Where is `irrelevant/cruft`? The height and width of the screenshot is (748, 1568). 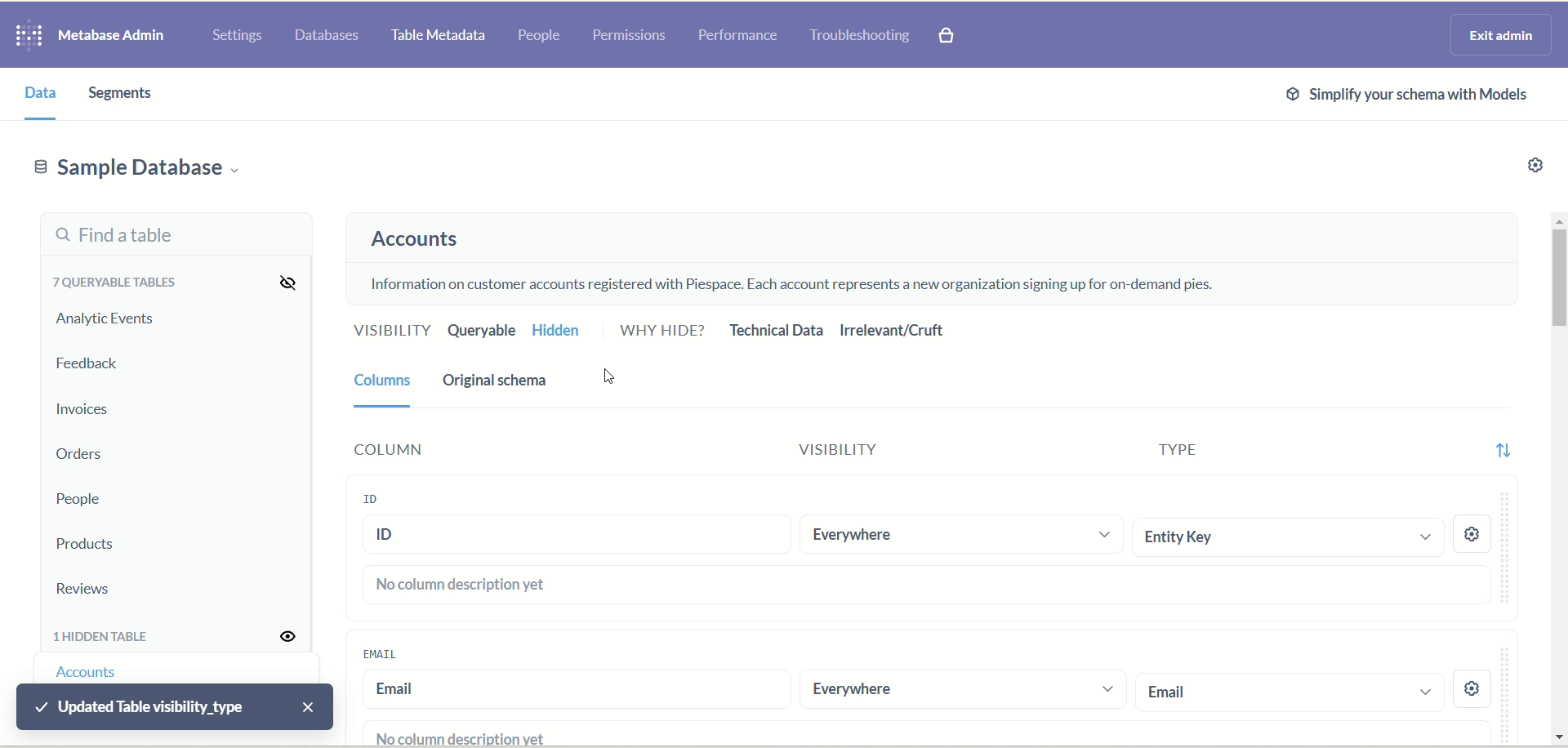
irrelevant/cruft is located at coordinates (894, 330).